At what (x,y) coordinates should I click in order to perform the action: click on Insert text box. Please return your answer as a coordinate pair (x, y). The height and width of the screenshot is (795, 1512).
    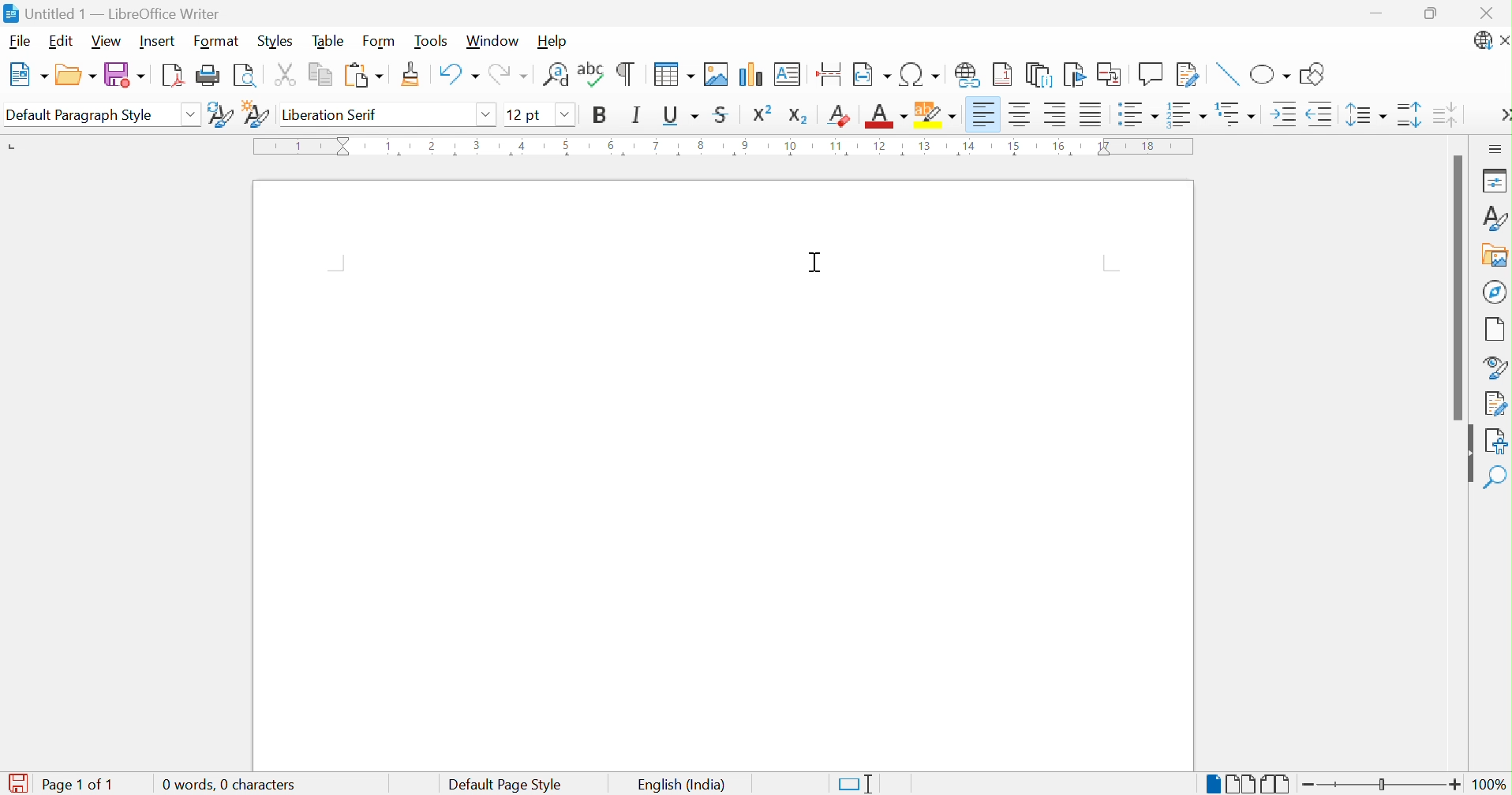
    Looking at the image, I should click on (788, 74).